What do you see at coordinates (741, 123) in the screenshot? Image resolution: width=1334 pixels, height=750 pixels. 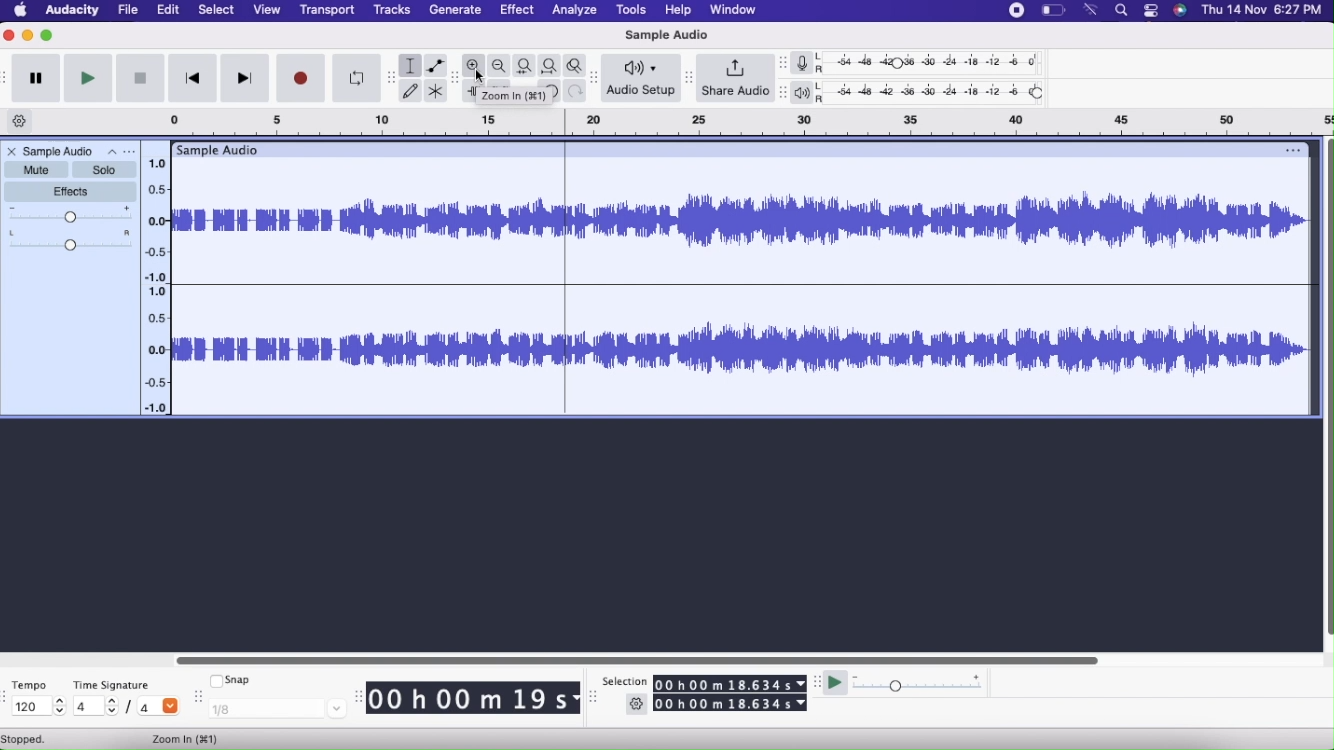 I see `click and drag to define looping region` at bounding box center [741, 123].